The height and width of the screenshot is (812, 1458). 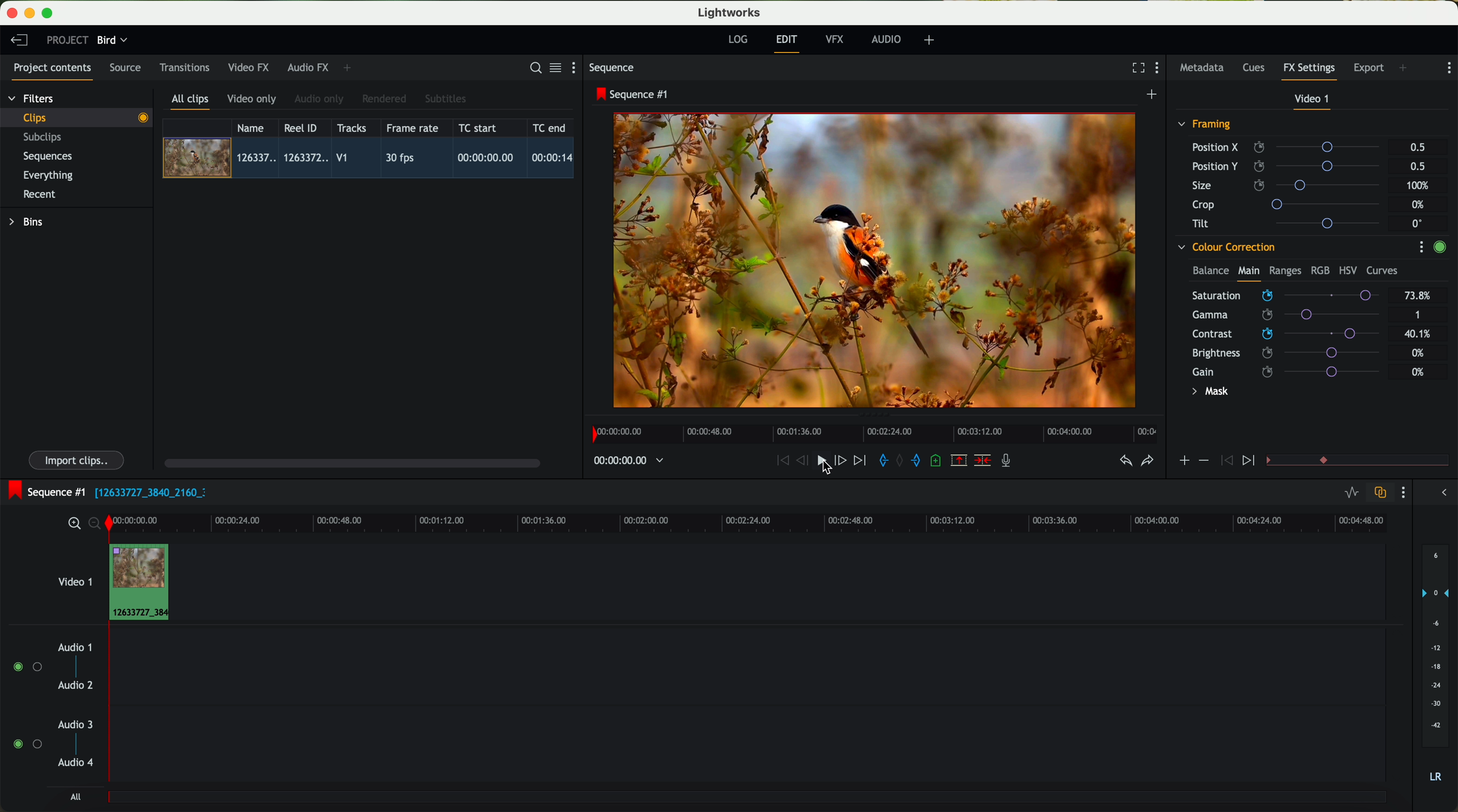 I want to click on show settings menu, so click(x=578, y=67).